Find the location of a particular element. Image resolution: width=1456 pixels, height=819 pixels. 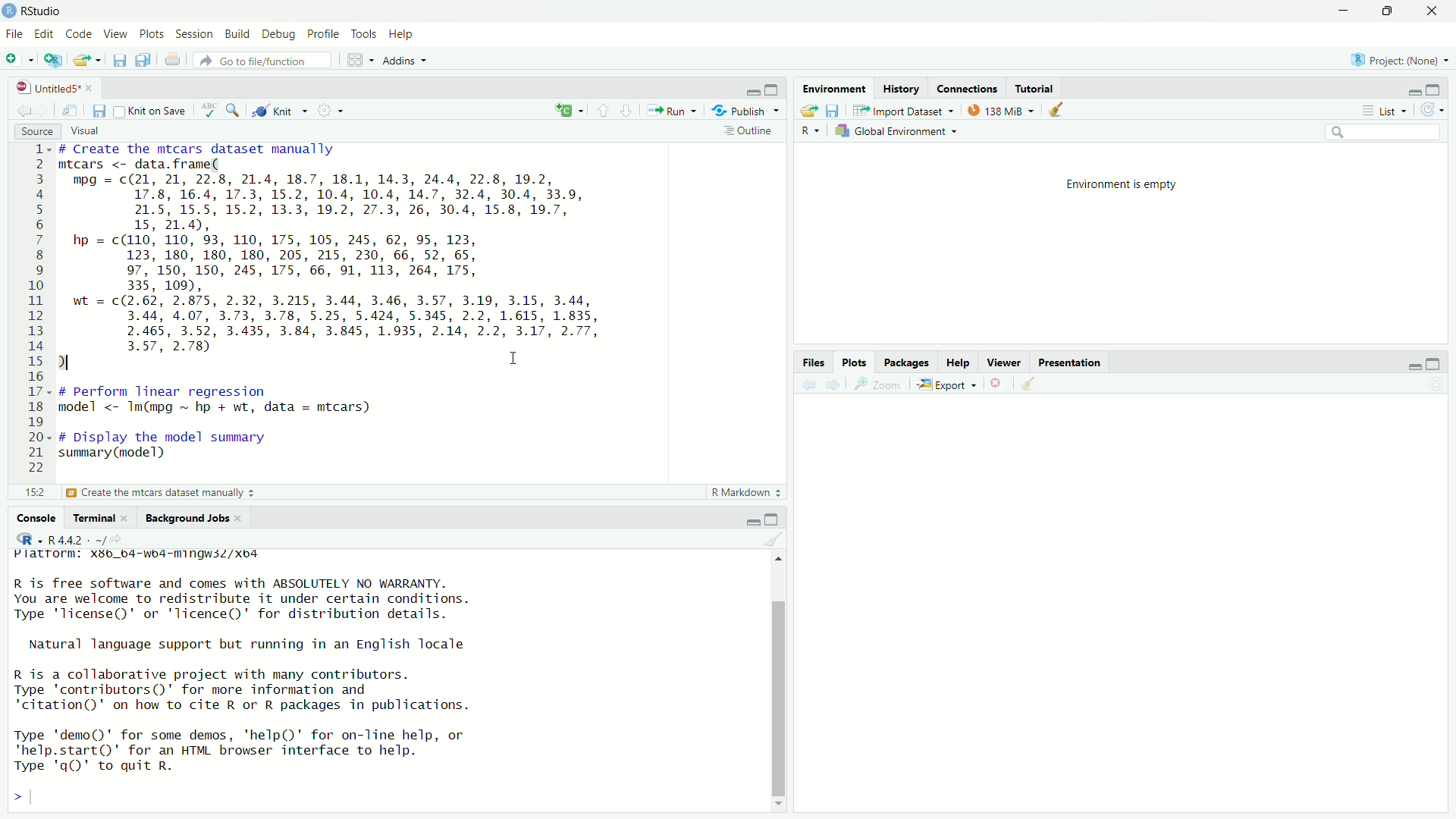

knit is located at coordinates (276, 111).